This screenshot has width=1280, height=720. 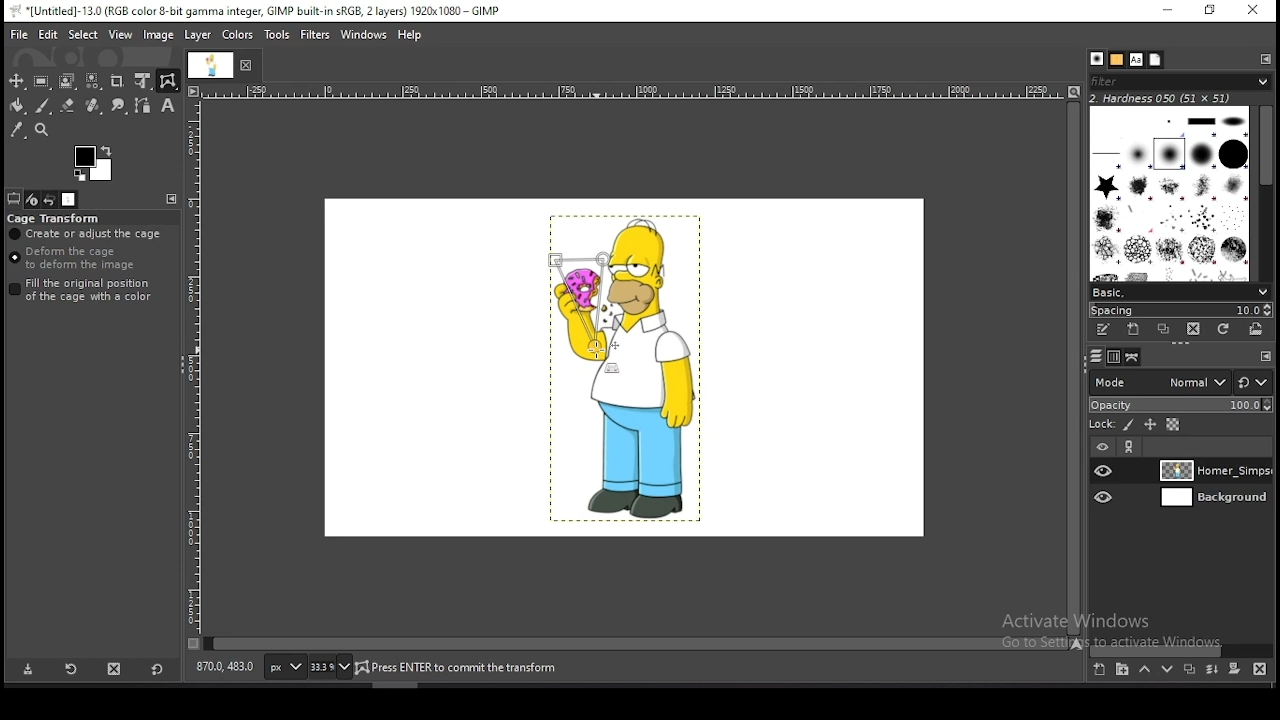 I want to click on image, so click(x=160, y=37).